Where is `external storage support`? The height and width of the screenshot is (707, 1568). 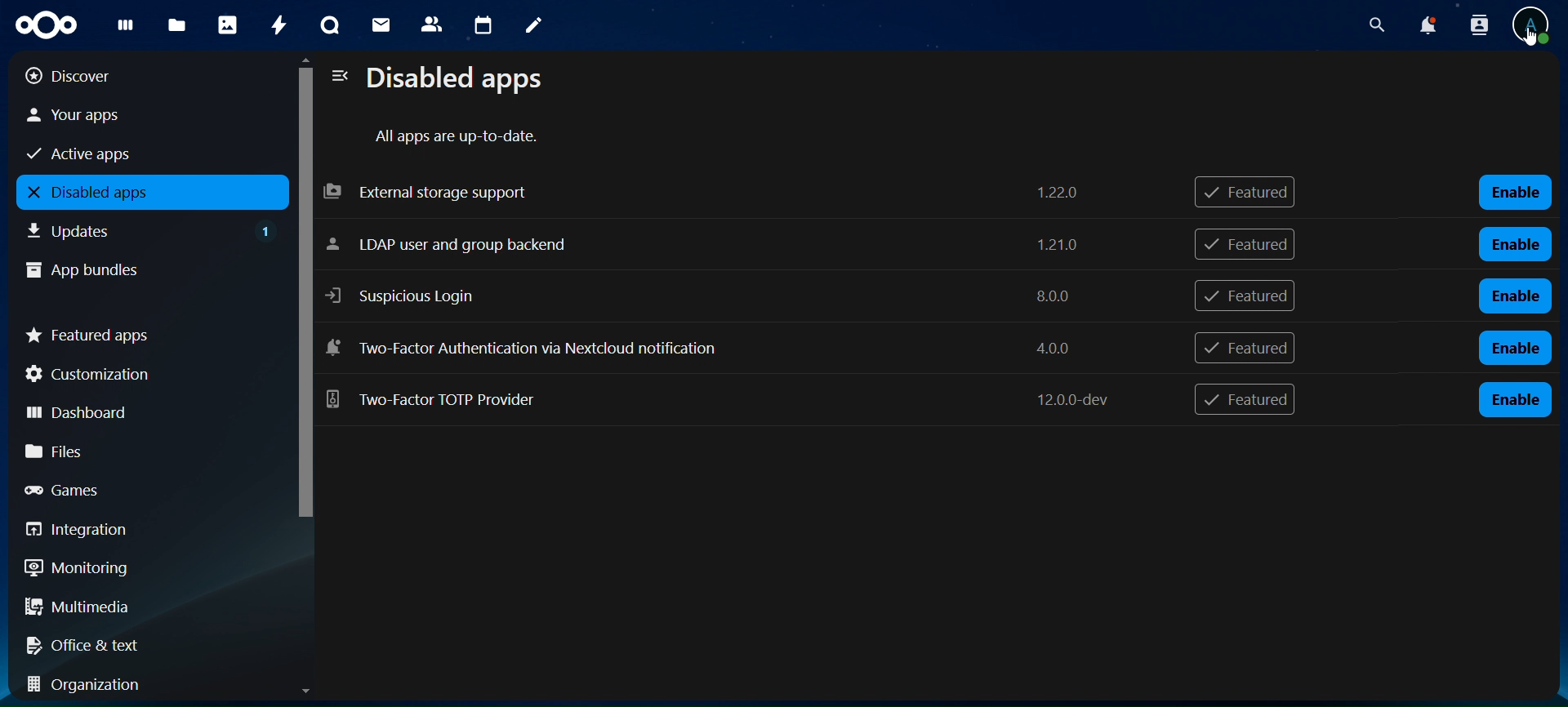
external storage support is located at coordinates (705, 191).